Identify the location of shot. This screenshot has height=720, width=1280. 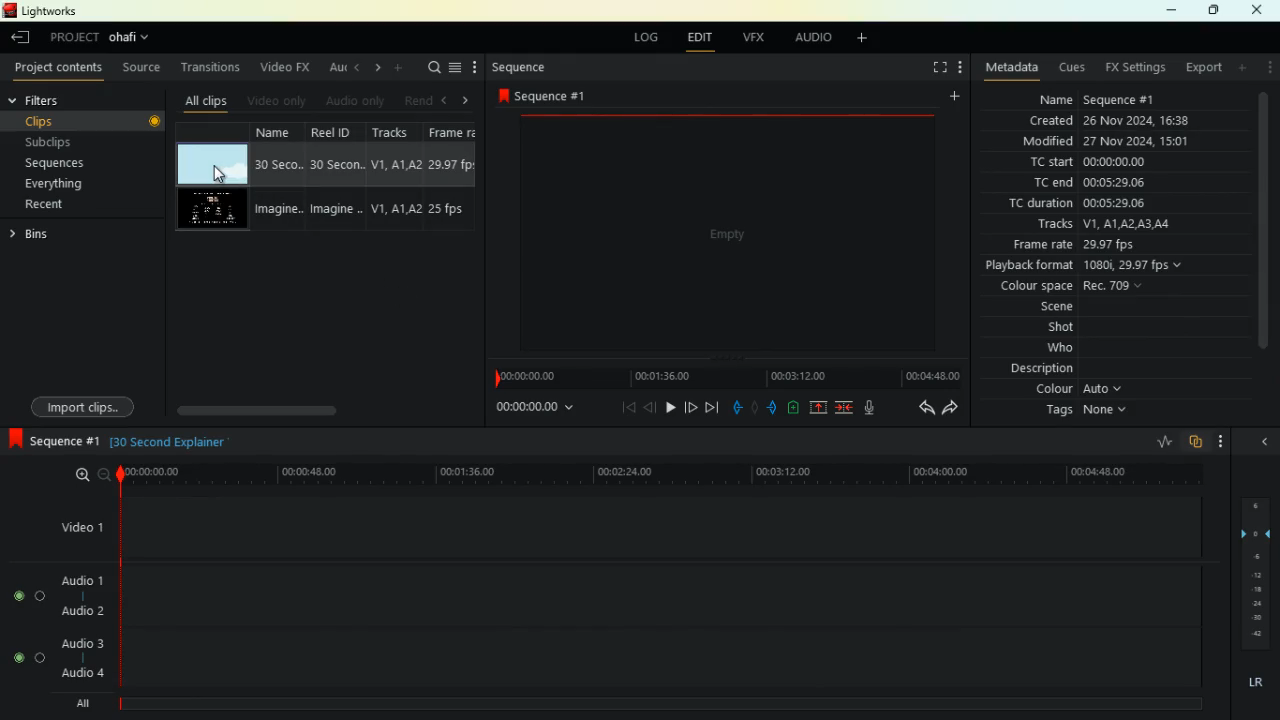
(1067, 329).